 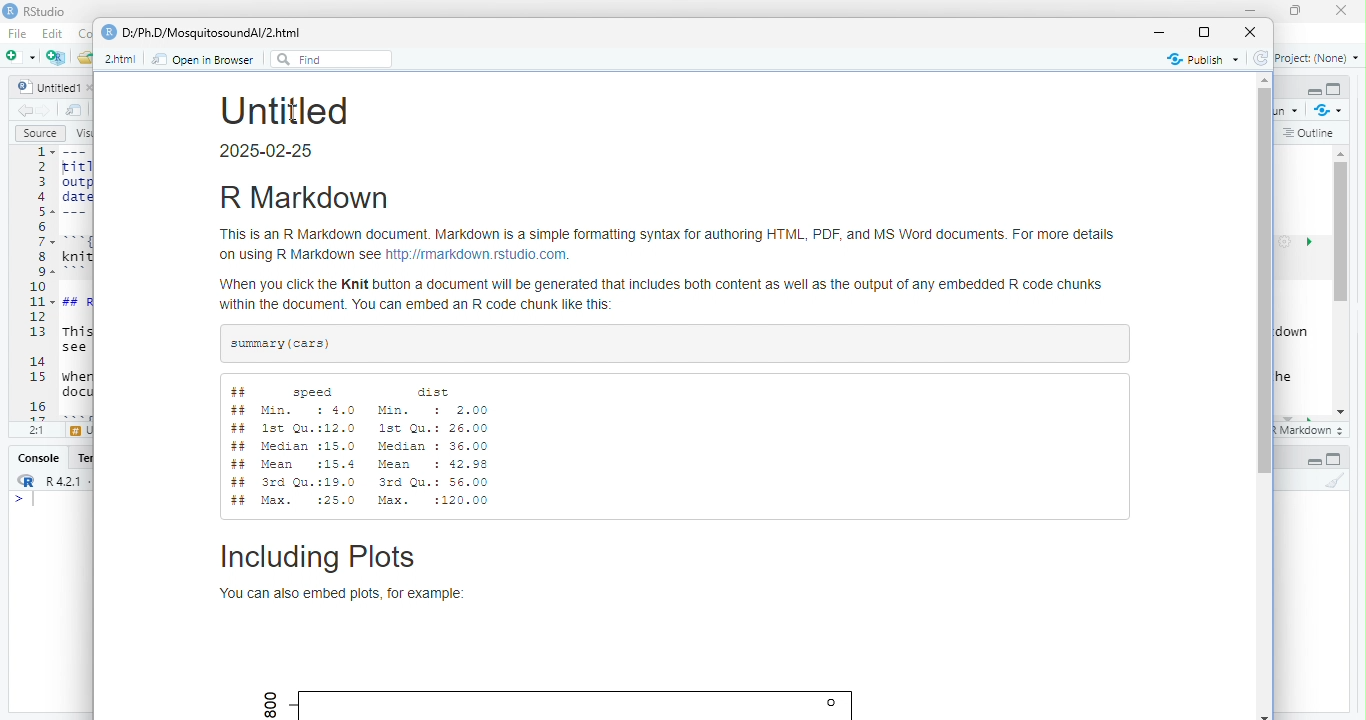 What do you see at coordinates (1265, 80) in the screenshot?
I see `scroll top` at bounding box center [1265, 80].